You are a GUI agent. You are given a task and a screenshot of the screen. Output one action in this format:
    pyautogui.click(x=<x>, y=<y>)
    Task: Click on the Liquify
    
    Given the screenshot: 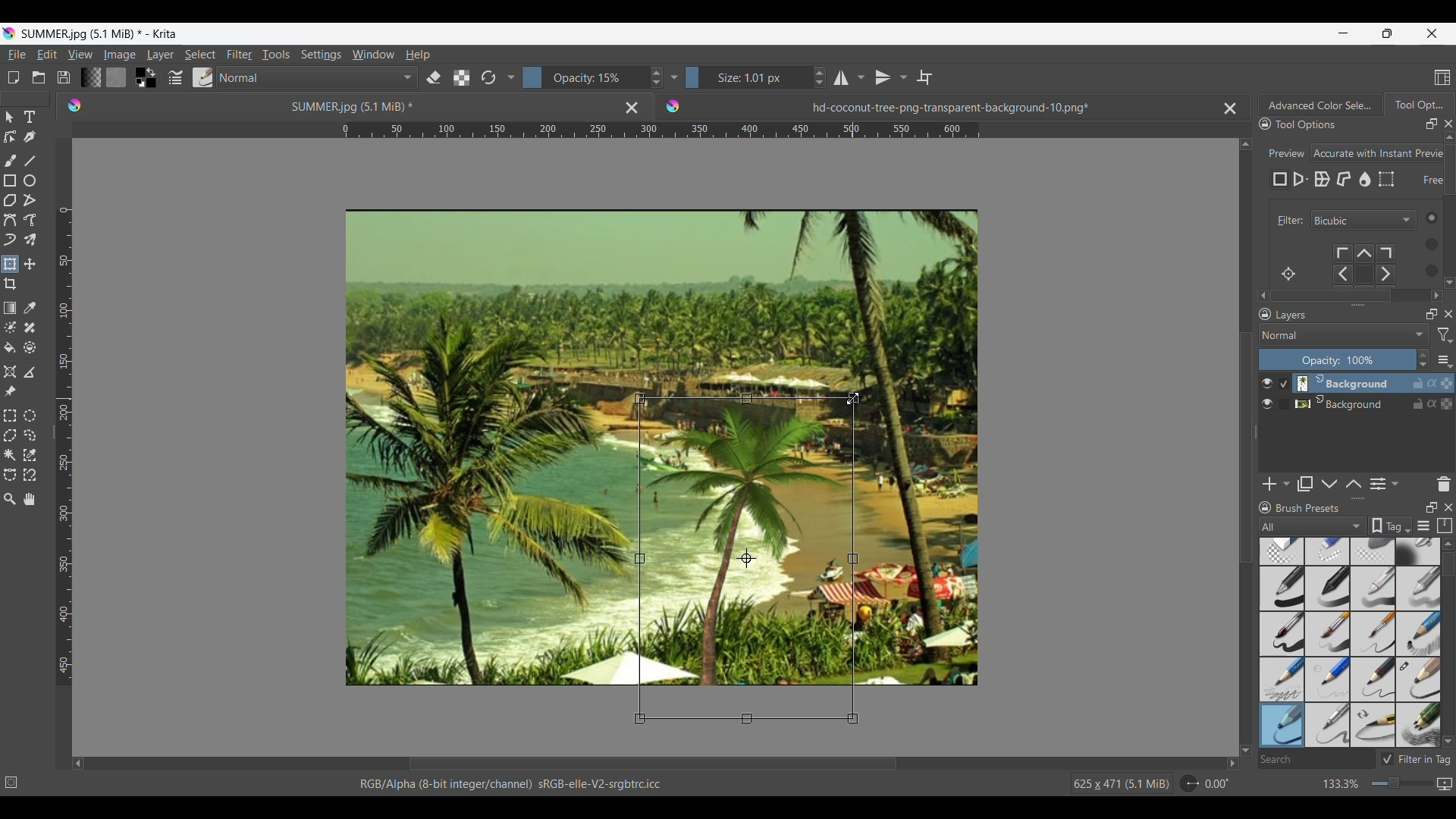 What is the action you would take?
    pyautogui.click(x=1366, y=179)
    